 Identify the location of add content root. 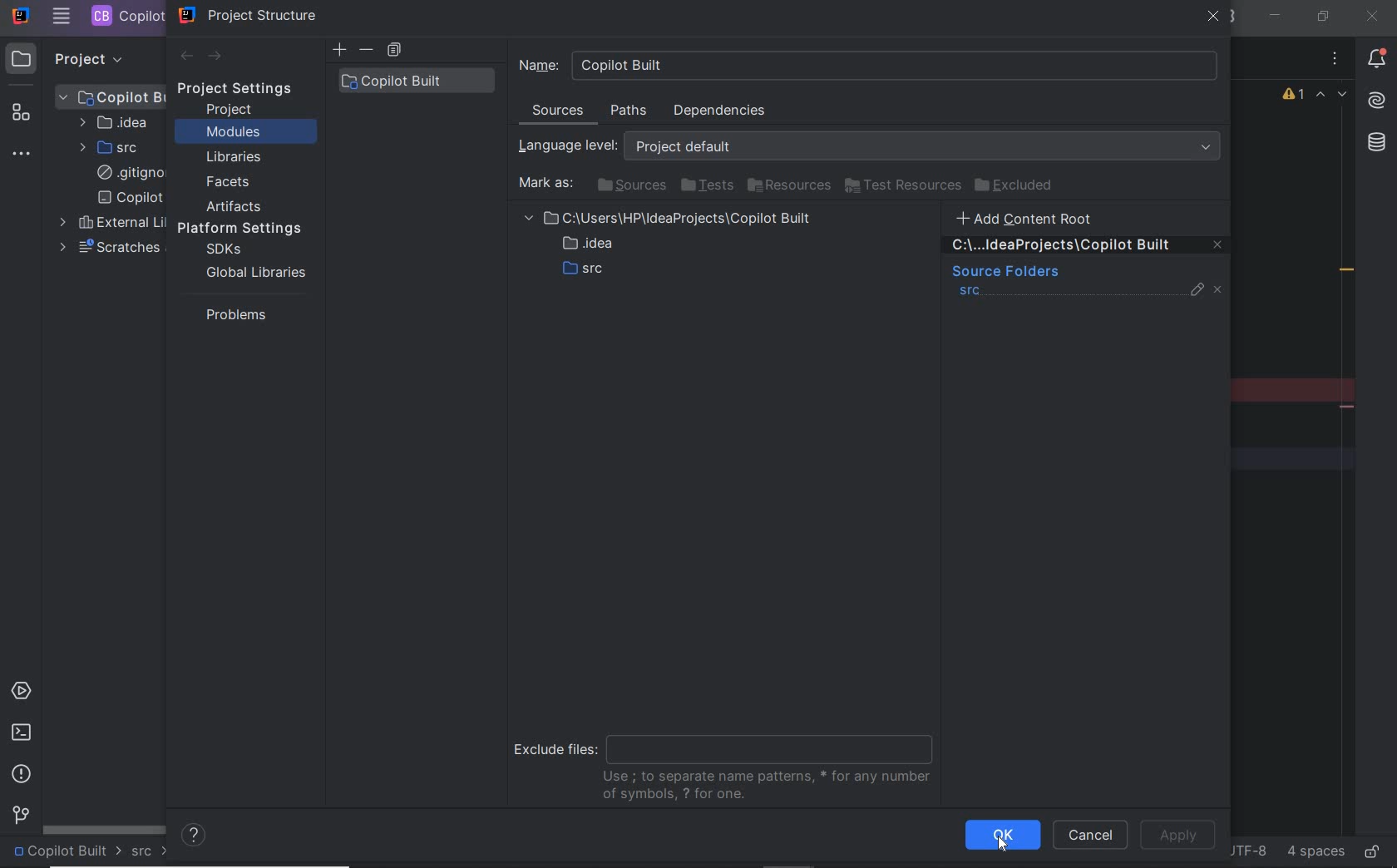
(1034, 218).